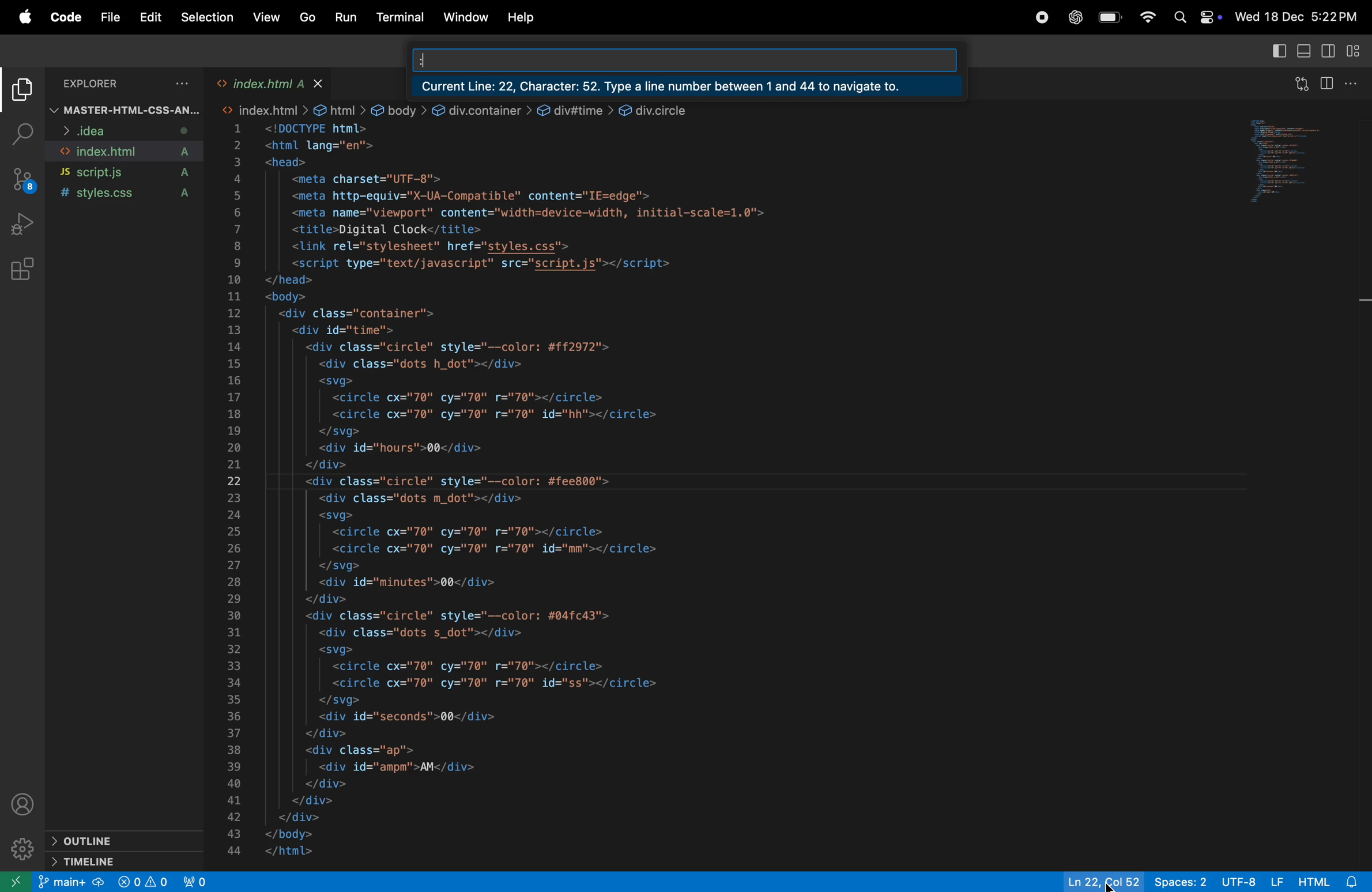  Describe the element at coordinates (466, 17) in the screenshot. I see `window` at that location.